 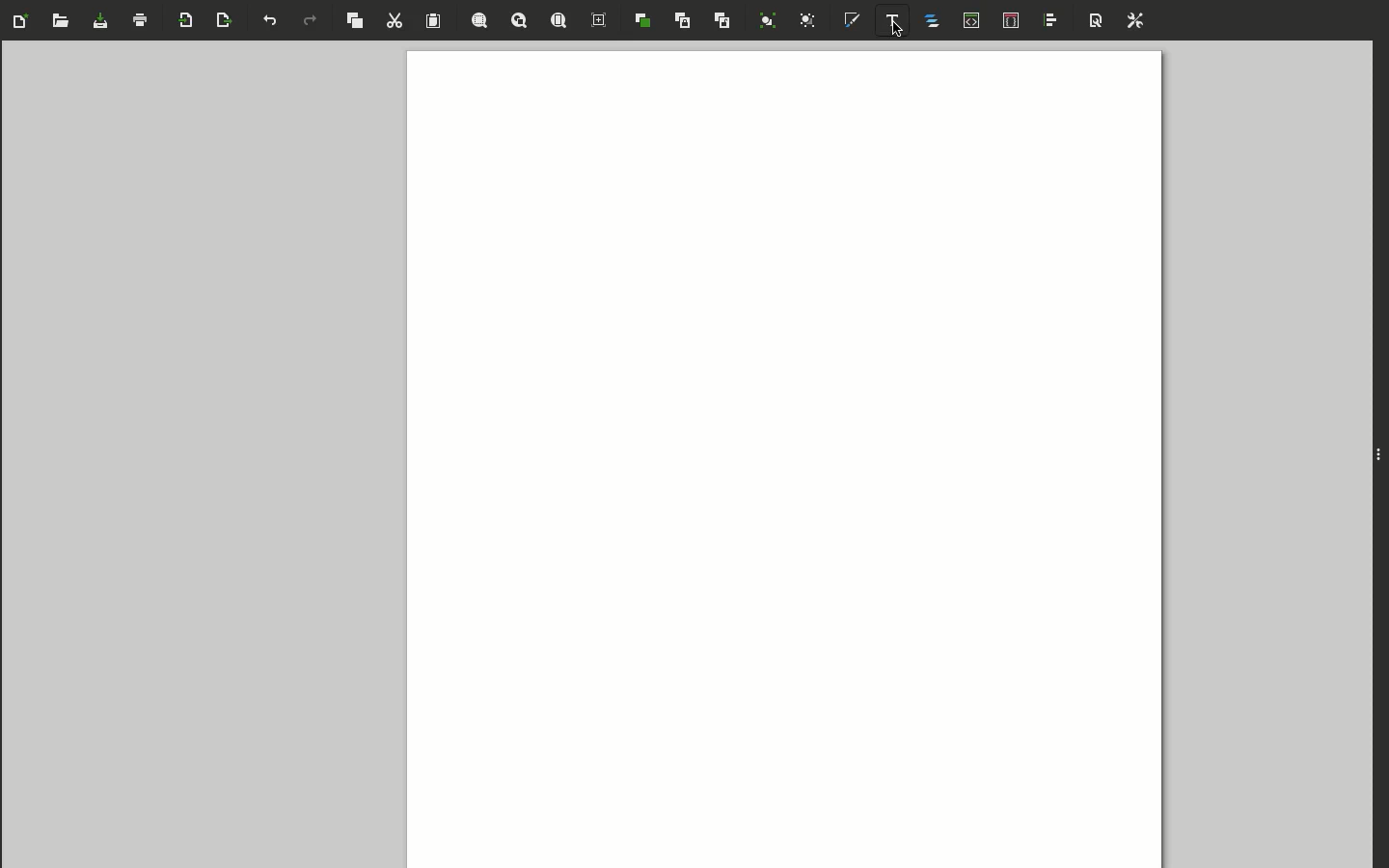 What do you see at coordinates (1379, 454) in the screenshot?
I see `Expand` at bounding box center [1379, 454].